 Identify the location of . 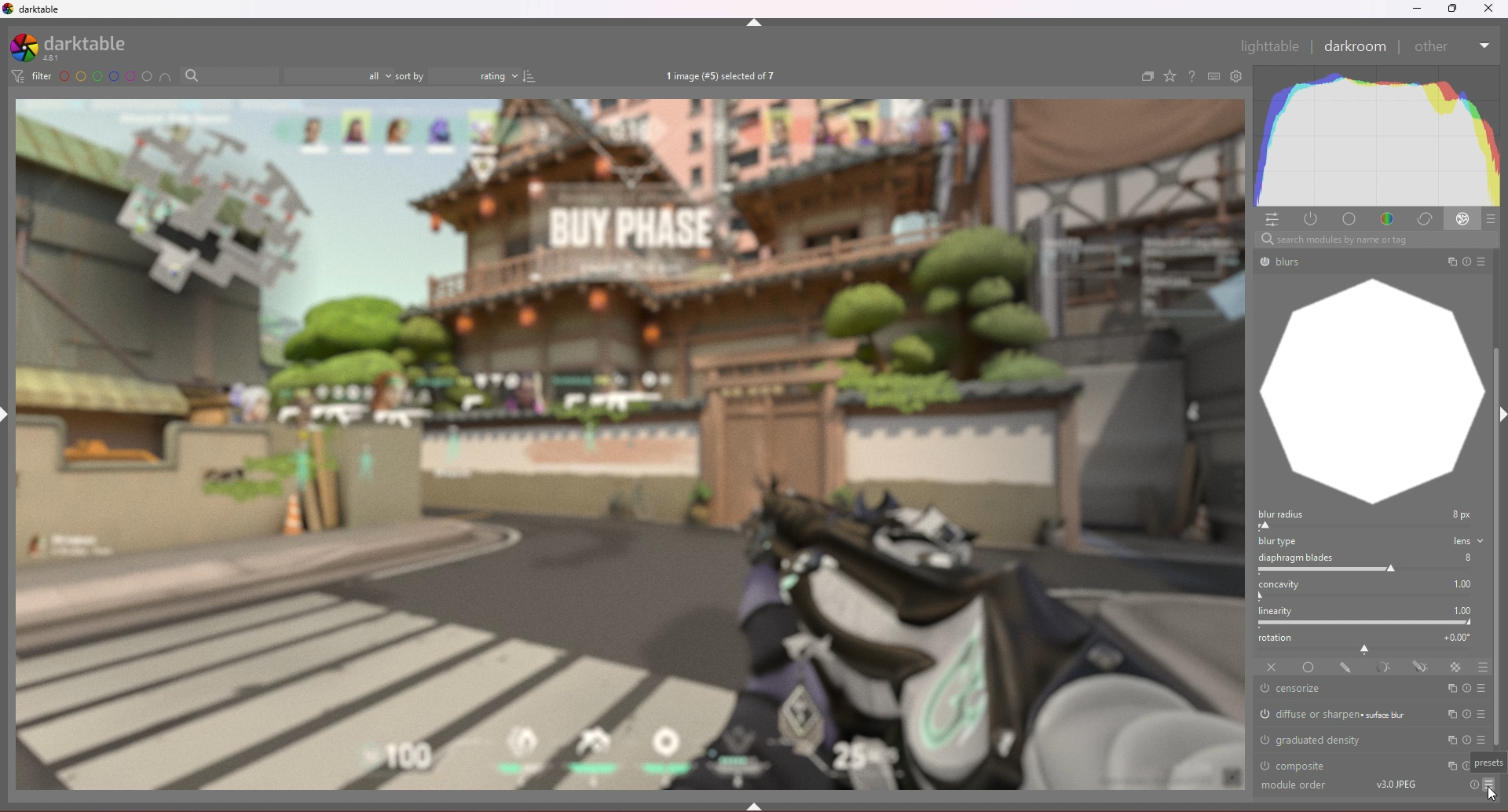
(1395, 785).